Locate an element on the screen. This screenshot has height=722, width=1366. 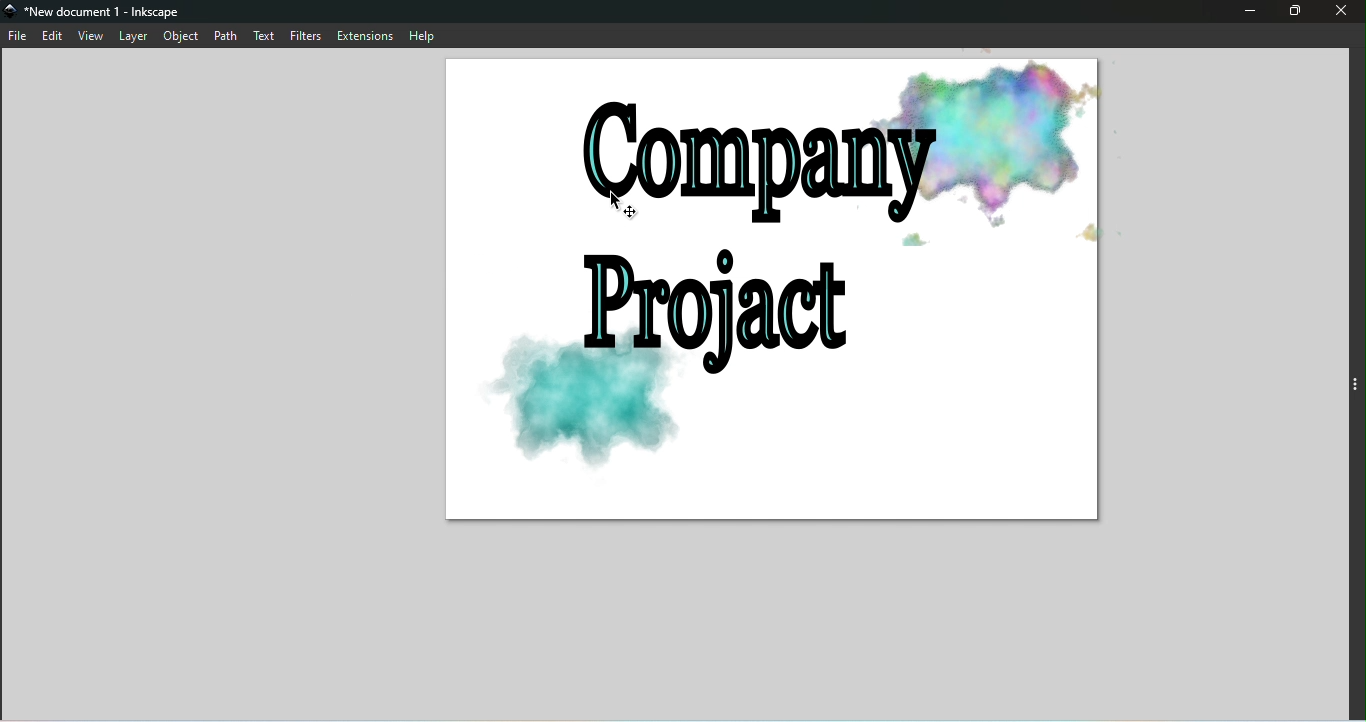
Maximize is located at coordinates (1292, 11).